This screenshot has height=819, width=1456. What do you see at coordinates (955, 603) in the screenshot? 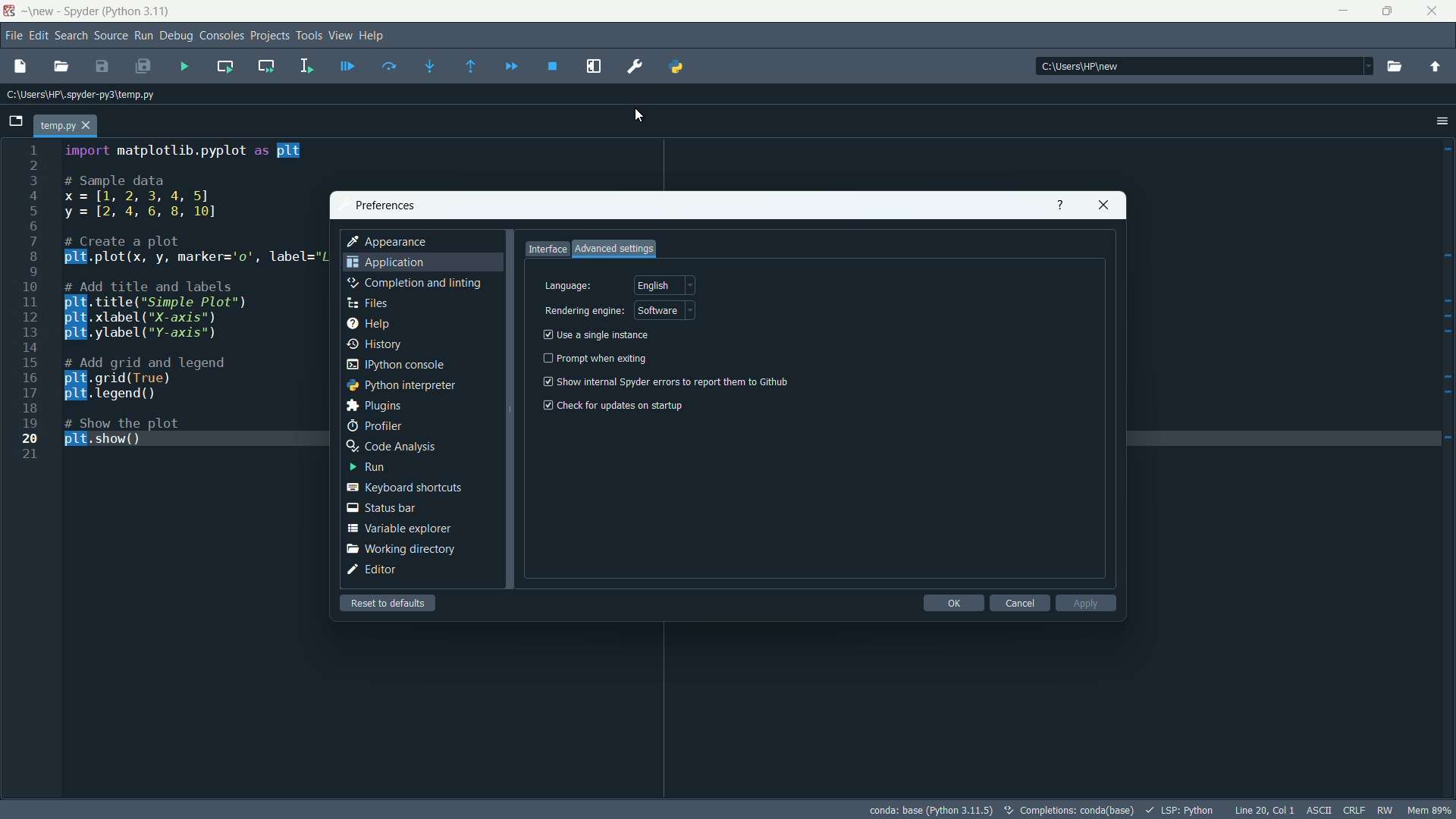
I see `ok` at bounding box center [955, 603].